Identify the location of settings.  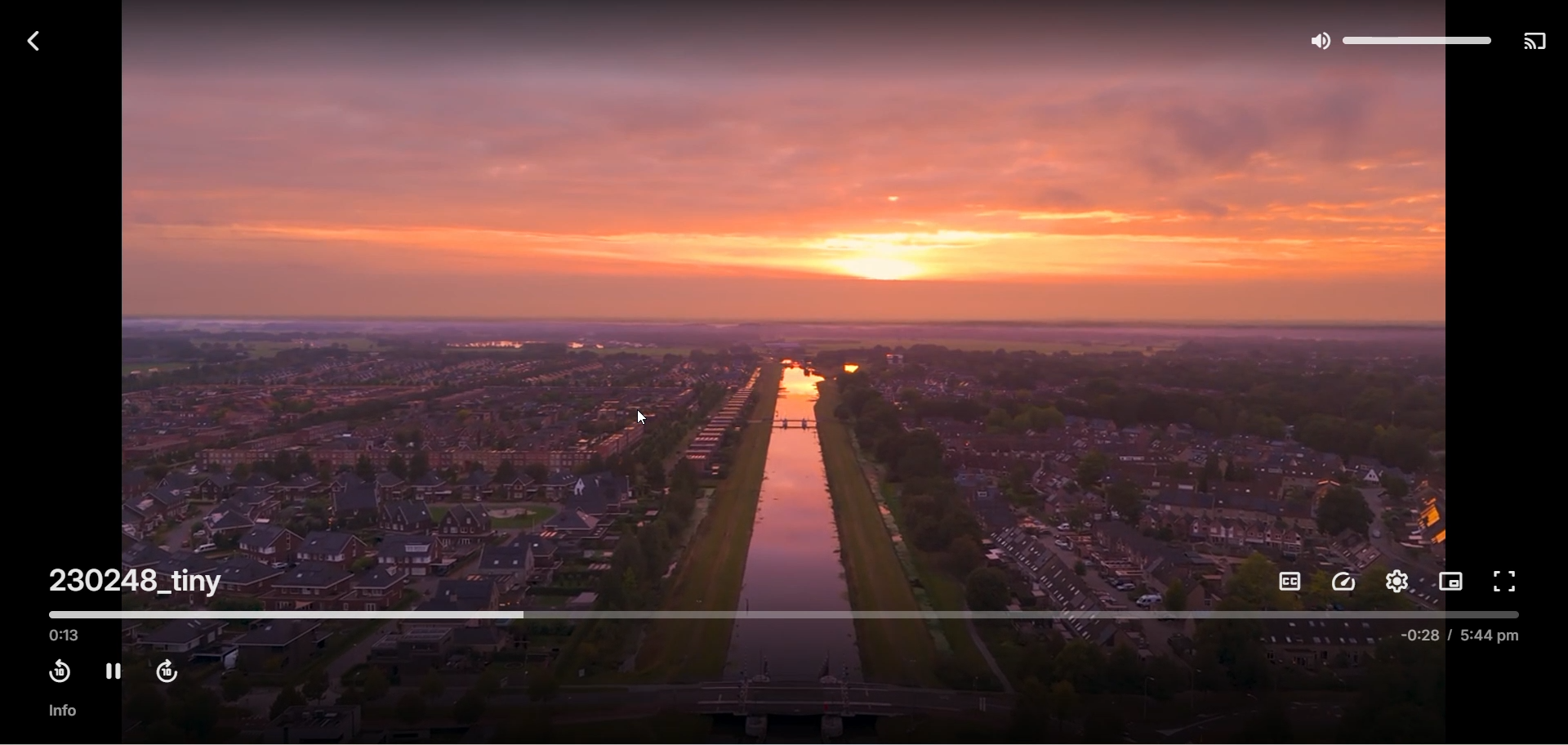
(1401, 581).